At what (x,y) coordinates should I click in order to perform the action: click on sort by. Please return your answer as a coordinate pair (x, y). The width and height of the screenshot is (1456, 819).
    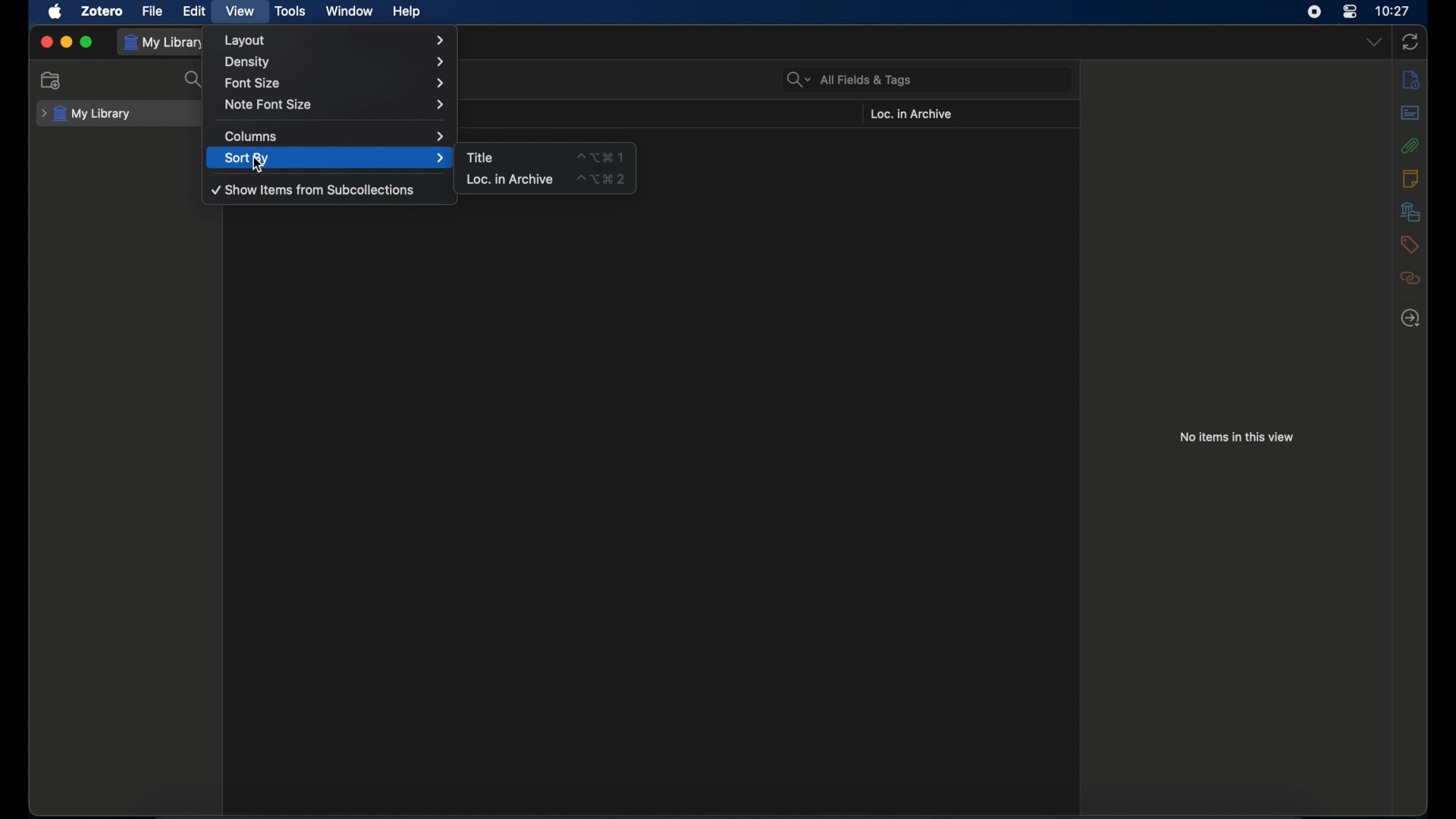
    Looking at the image, I should click on (335, 158).